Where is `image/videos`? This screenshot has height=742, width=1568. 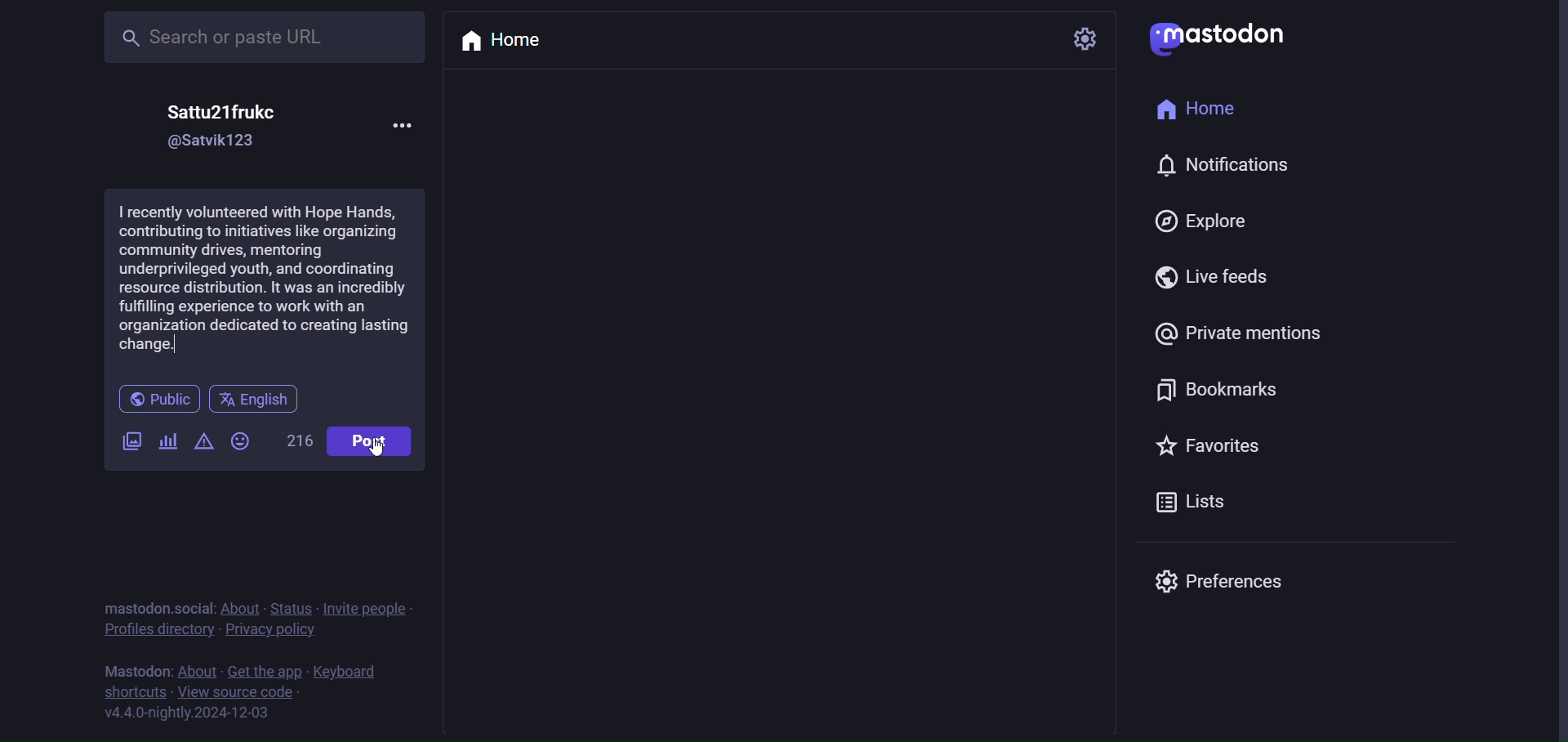 image/videos is located at coordinates (130, 440).